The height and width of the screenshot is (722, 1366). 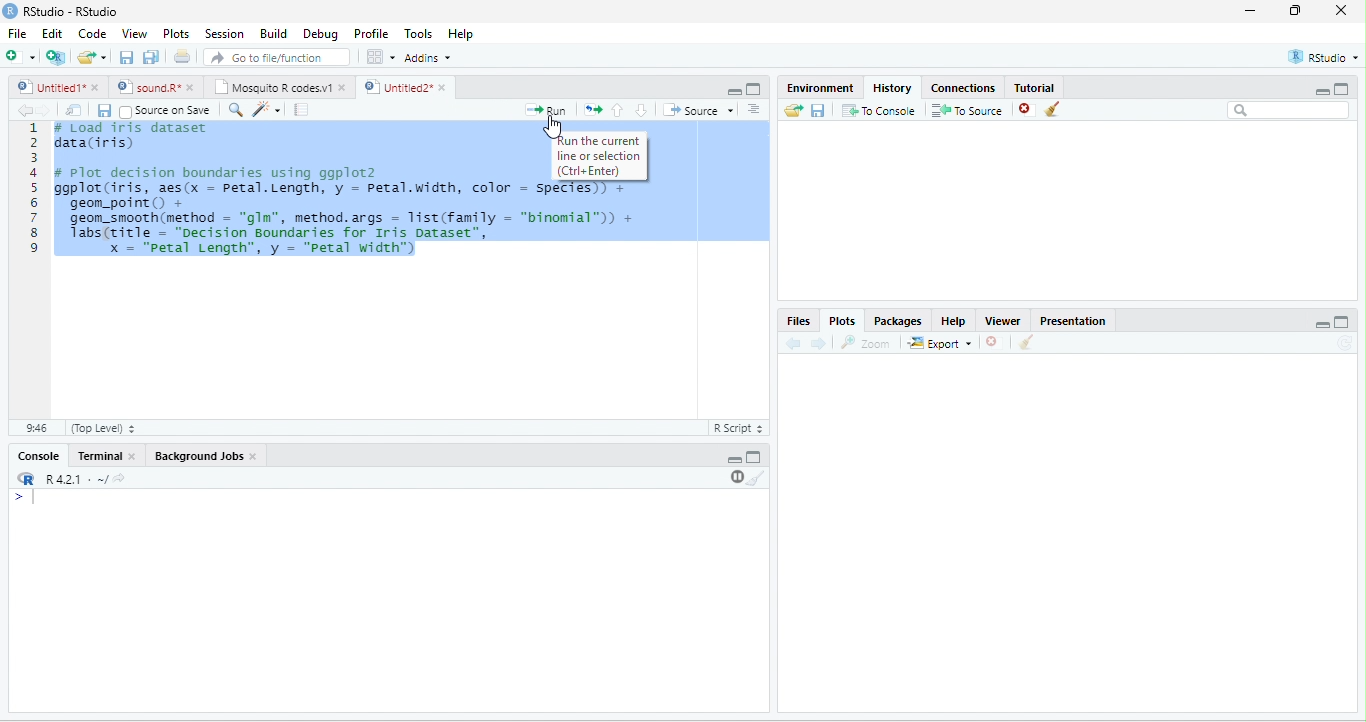 I want to click on Session, so click(x=226, y=35).